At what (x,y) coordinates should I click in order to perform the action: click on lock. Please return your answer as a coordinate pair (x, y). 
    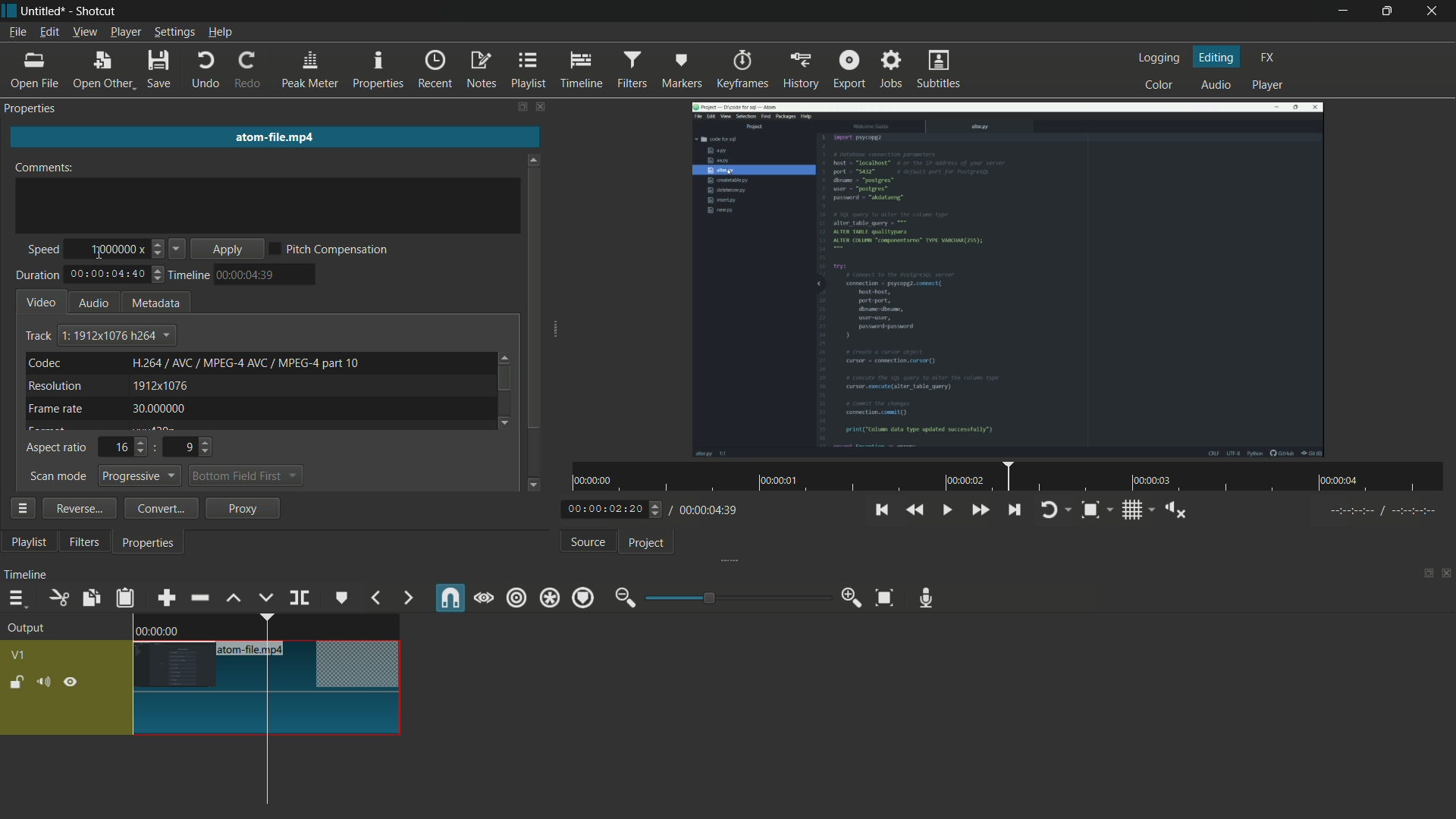
    Looking at the image, I should click on (17, 683).